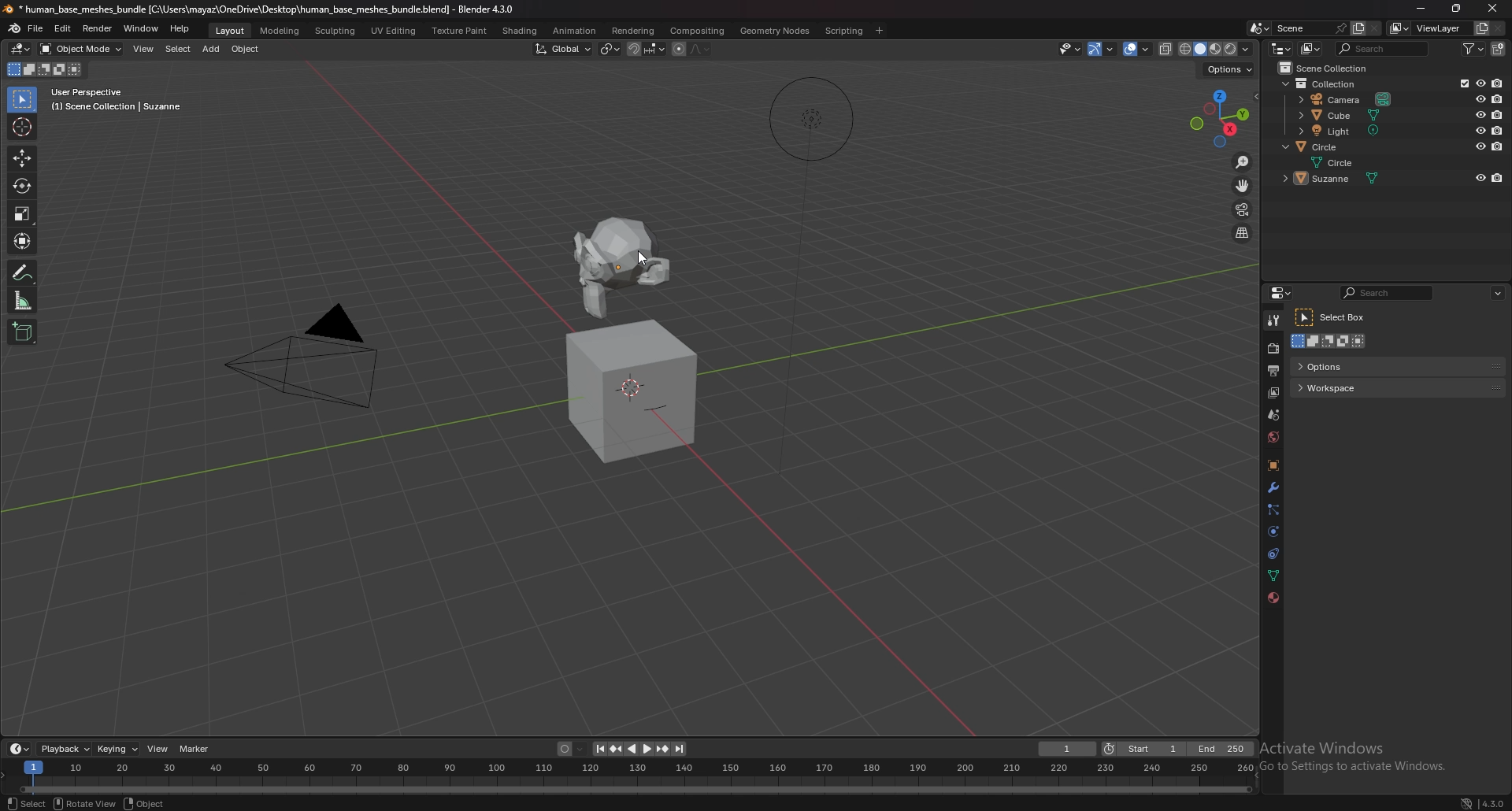  Describe the element at coordinates (21, 49) in the screenshot. I see `editor type` at that location.